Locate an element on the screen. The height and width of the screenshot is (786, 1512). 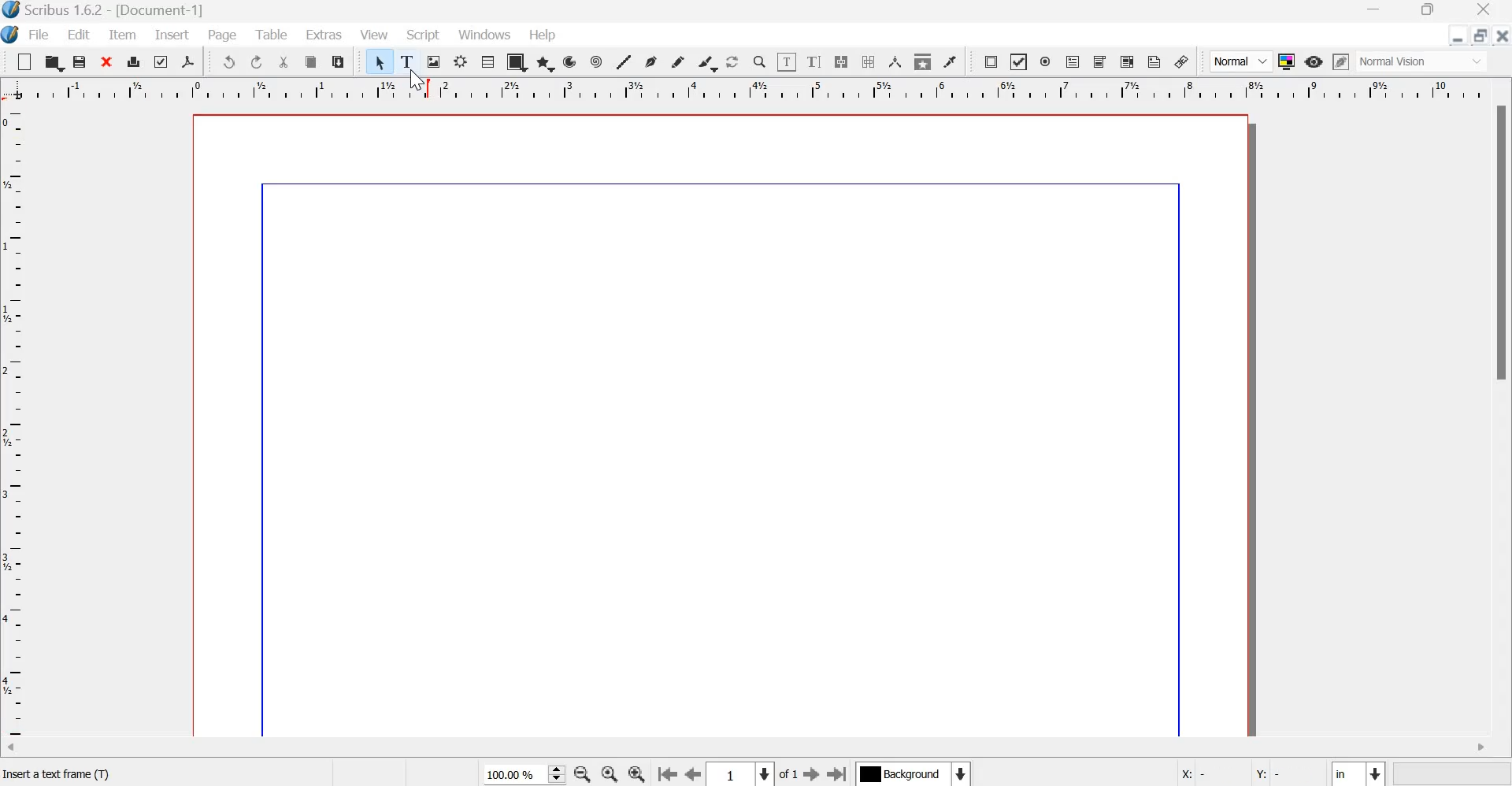
PDF push button is located at coordinates (991, 62).